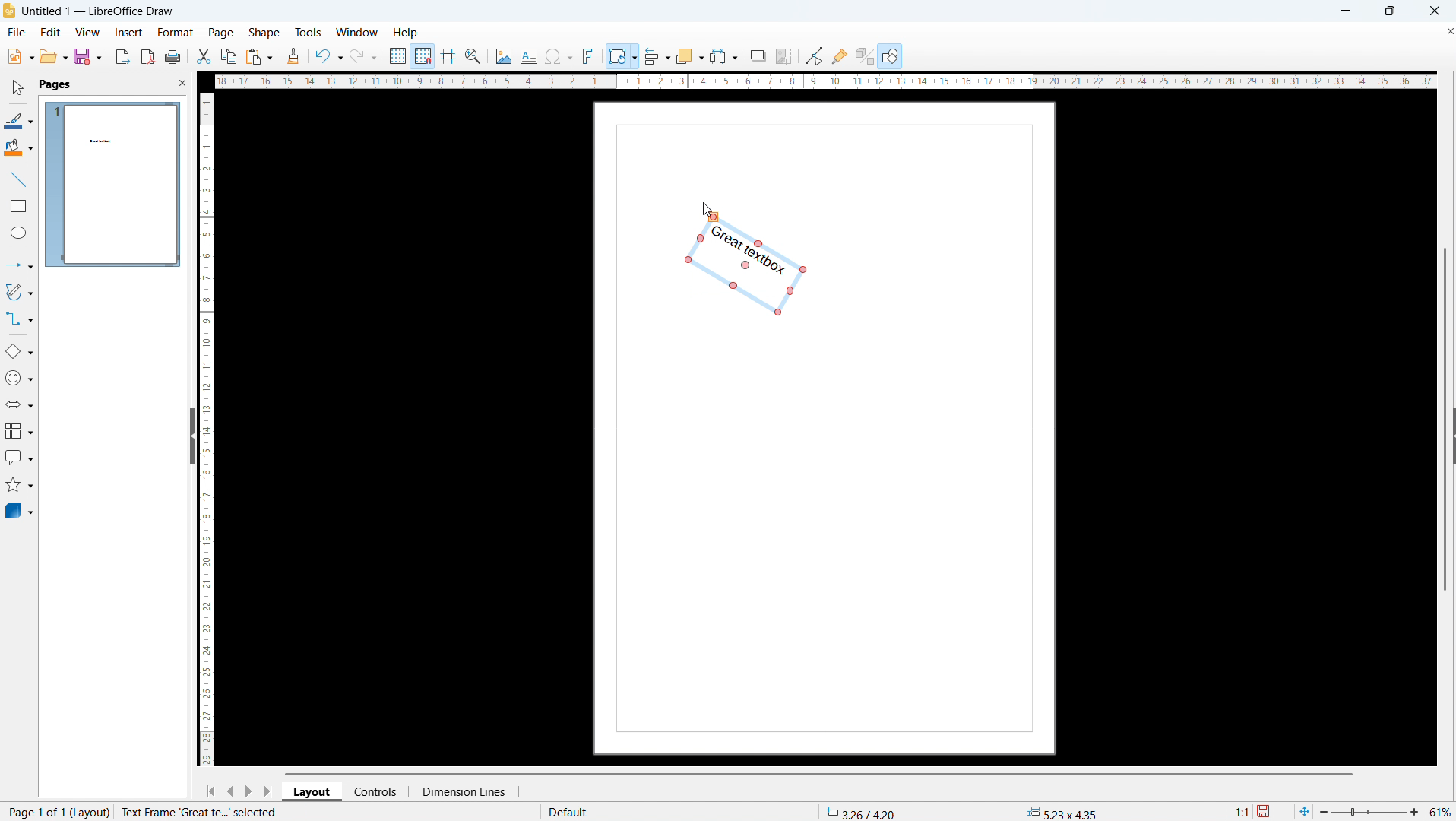  I want to click on open, so click(52, 57).